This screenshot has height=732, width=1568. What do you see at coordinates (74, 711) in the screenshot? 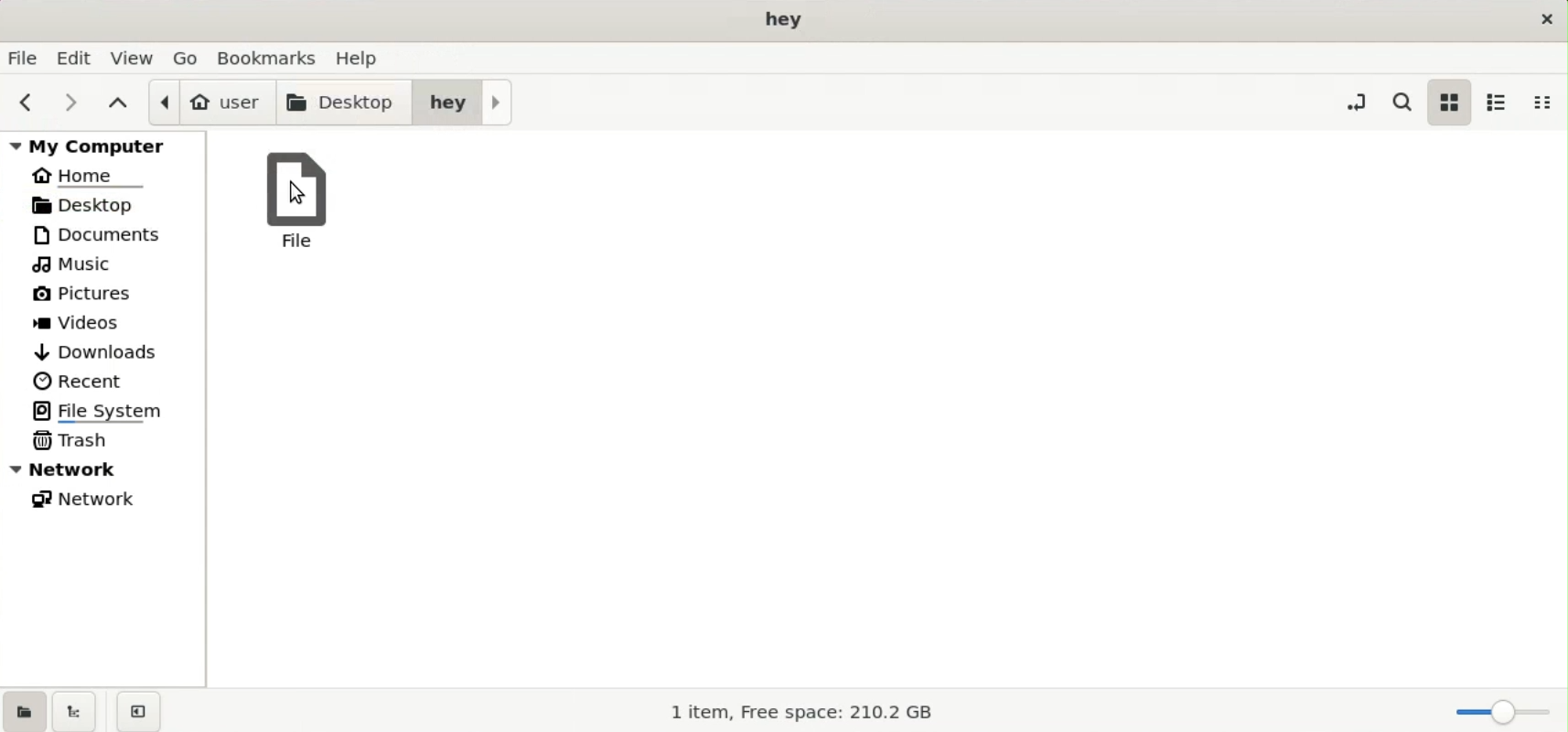
I see `show treeview` at bounding box center [74, 711].